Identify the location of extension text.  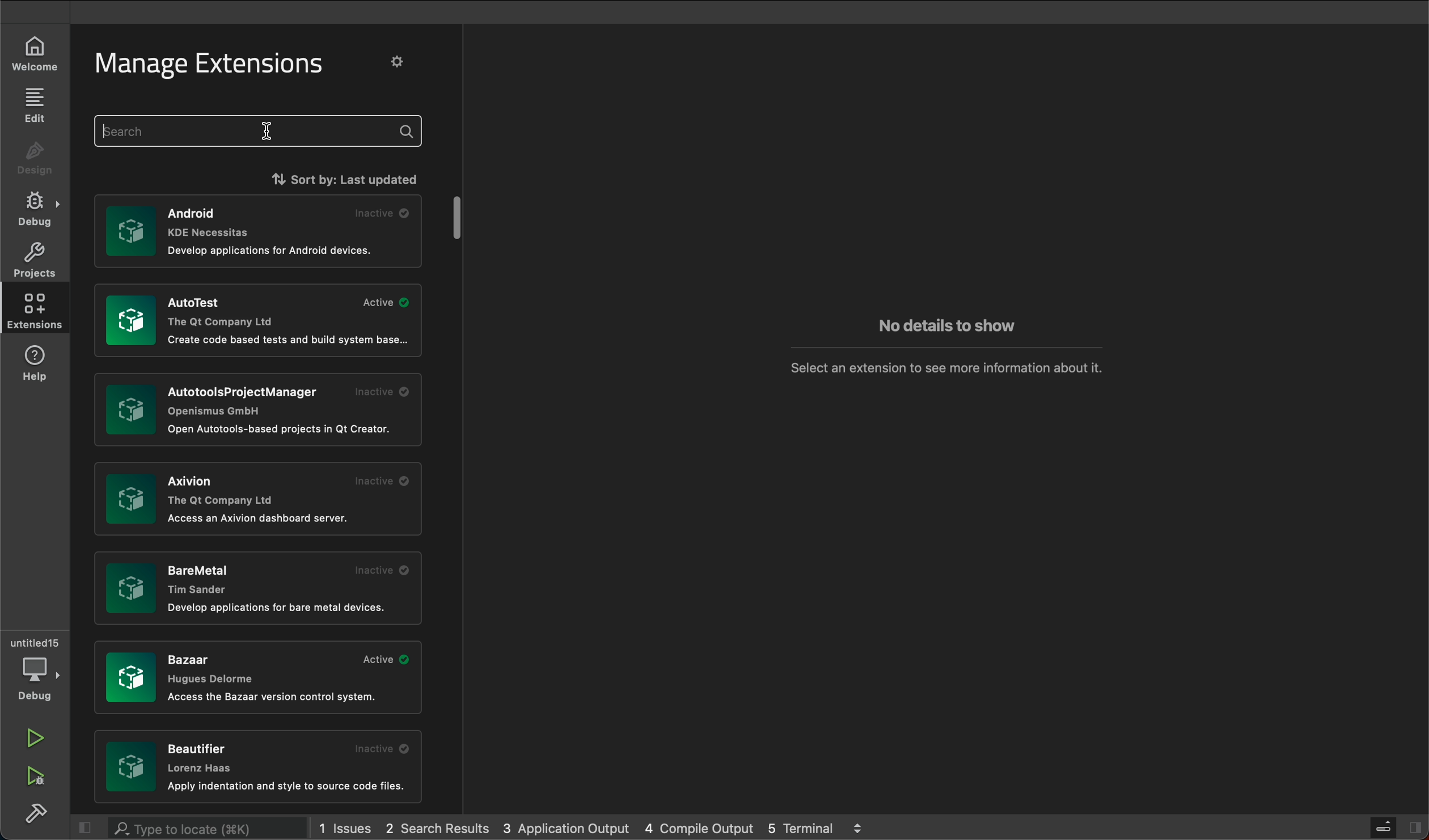
(212, 668).